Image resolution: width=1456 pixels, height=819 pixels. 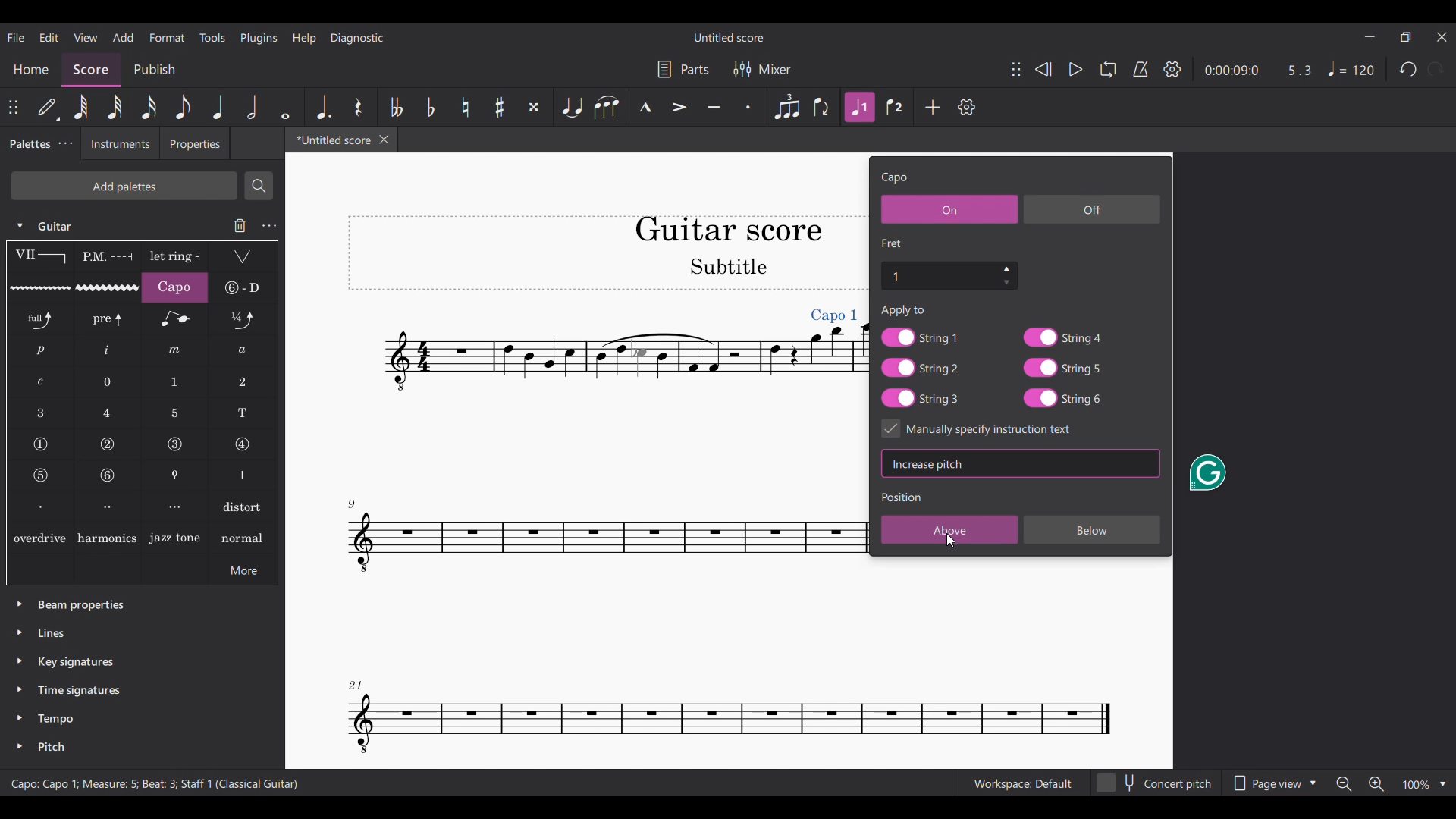 I want to click on Redo, so click(x=1436, y=69).